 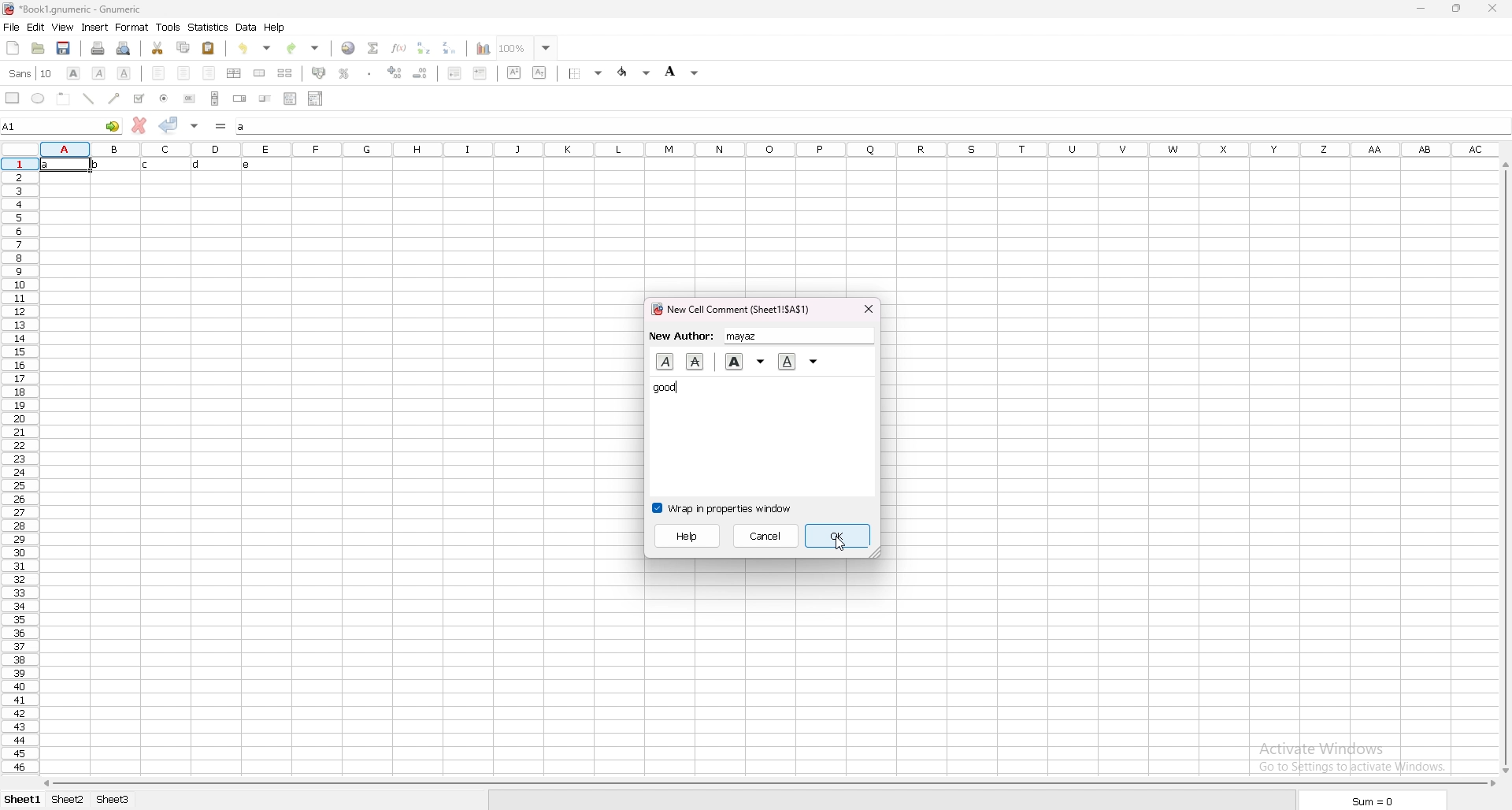 What do you see at coordinates (38, 98) in the screenshot?
I see `ellipse` at bounding box center [38, 98].